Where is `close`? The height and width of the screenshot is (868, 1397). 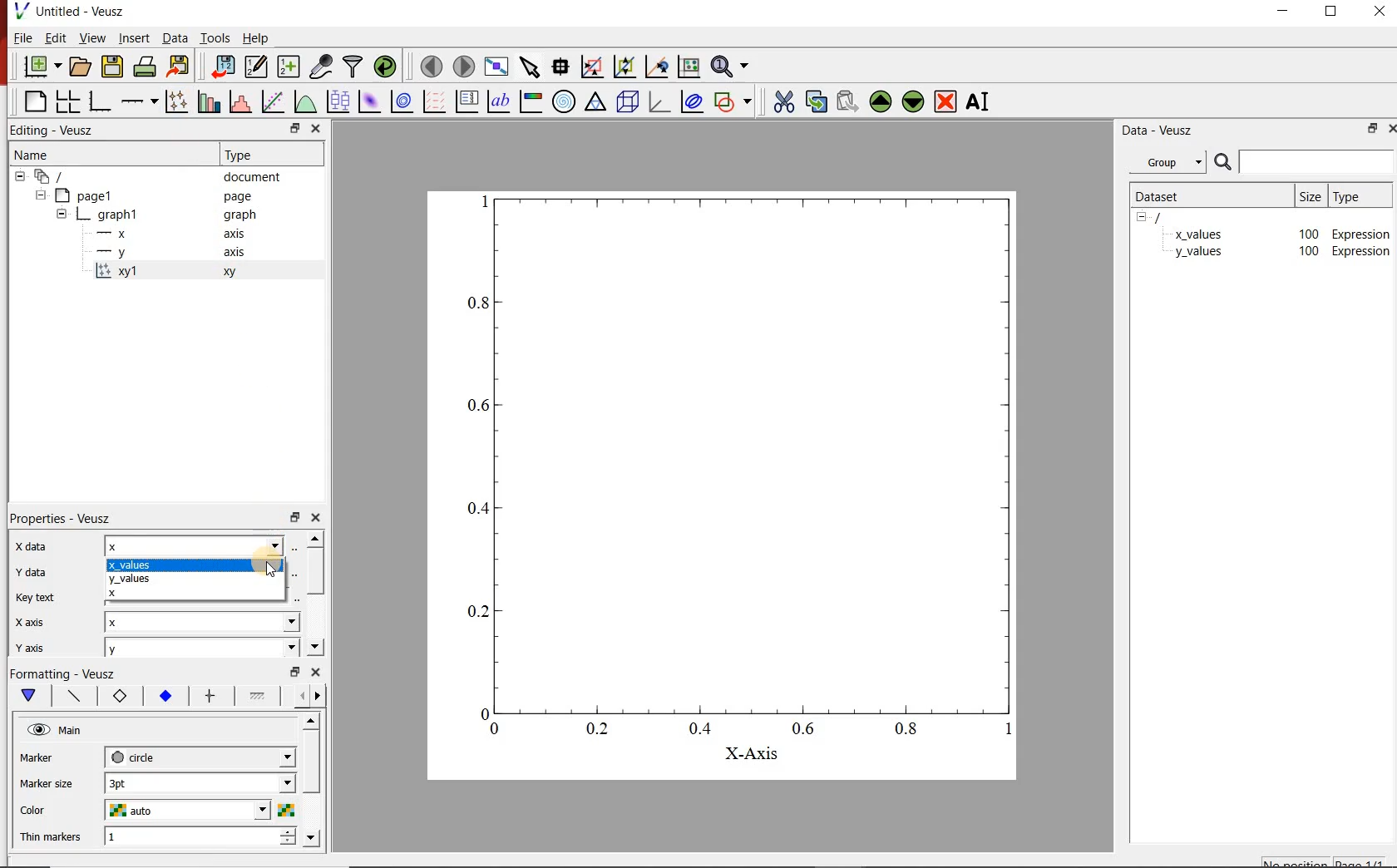
close is located at coordinates (316, 671).